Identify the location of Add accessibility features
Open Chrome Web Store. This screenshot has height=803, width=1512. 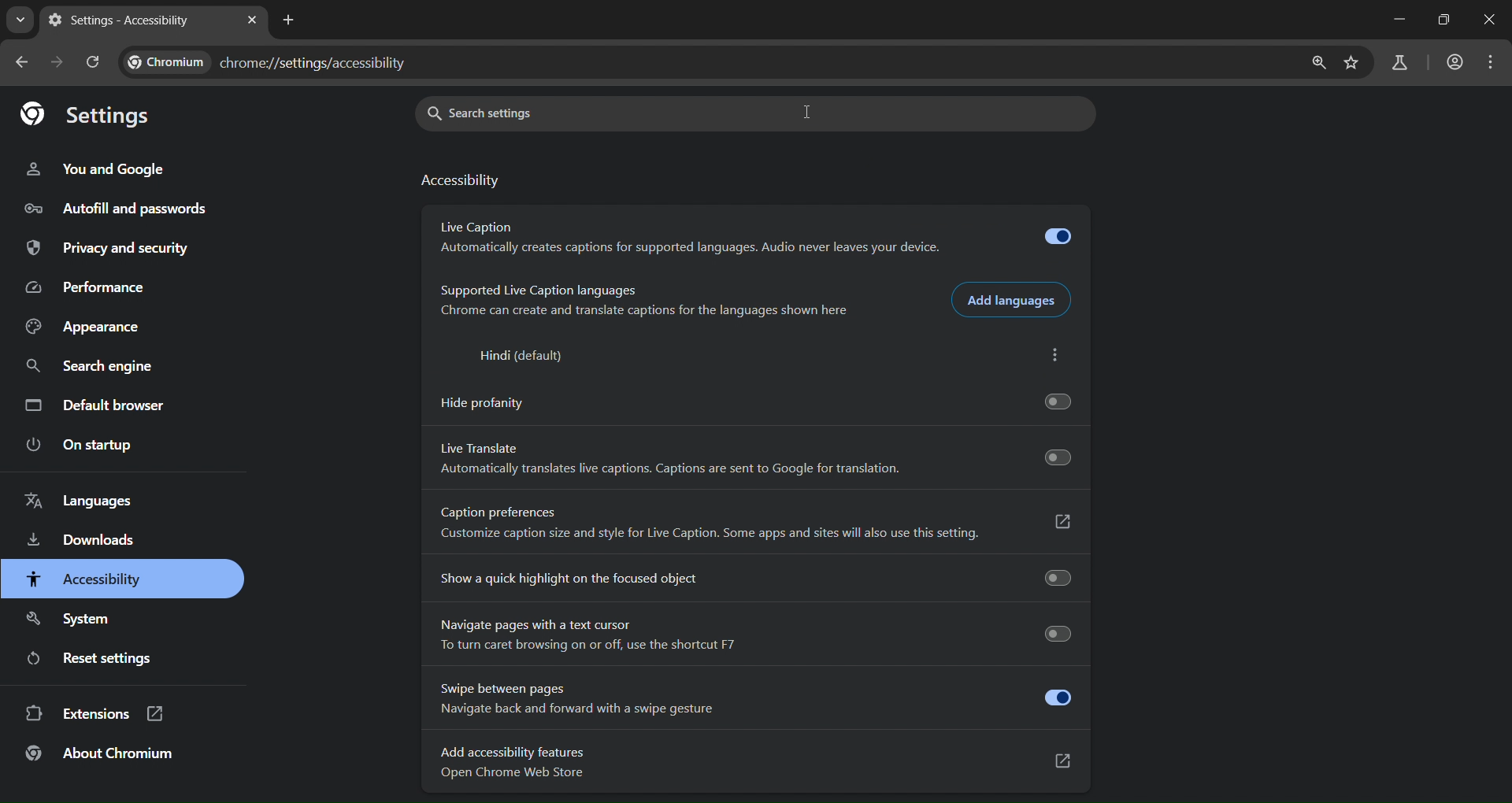
(755, 764).